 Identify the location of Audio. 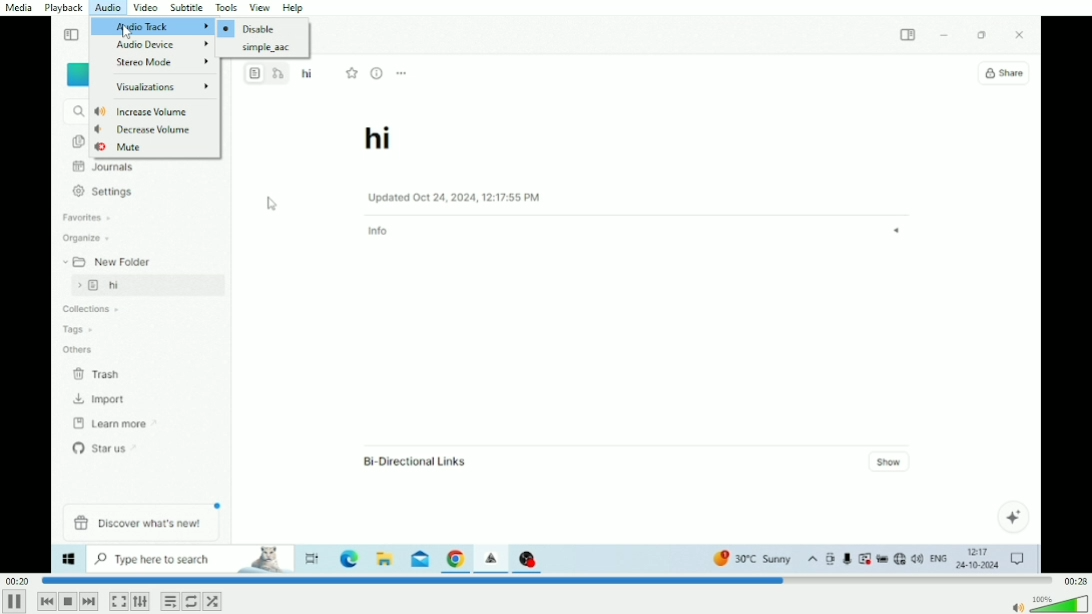
(108, 8).